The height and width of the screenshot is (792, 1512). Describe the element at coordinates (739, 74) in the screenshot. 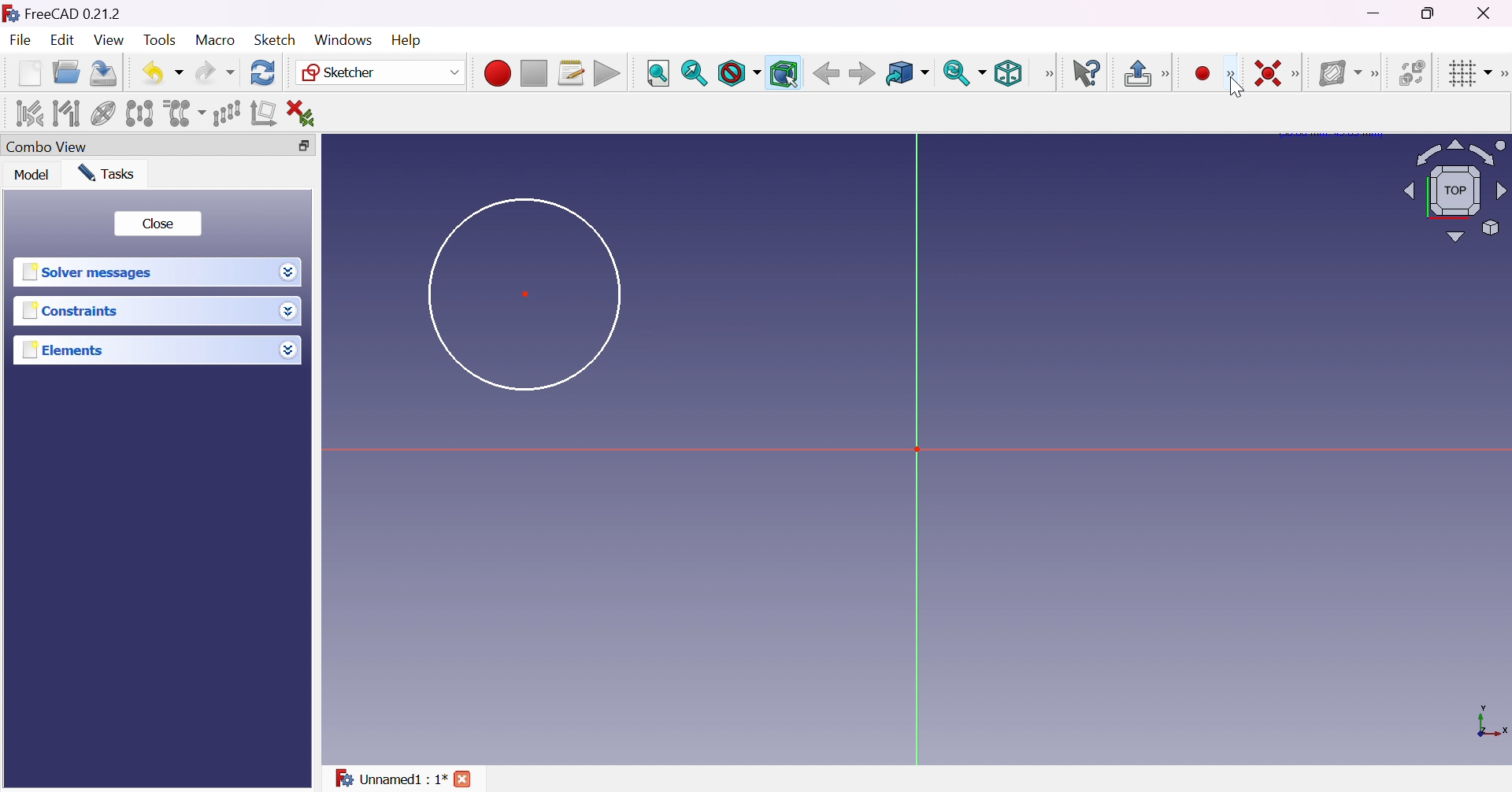

I see `Draw style` at that location.